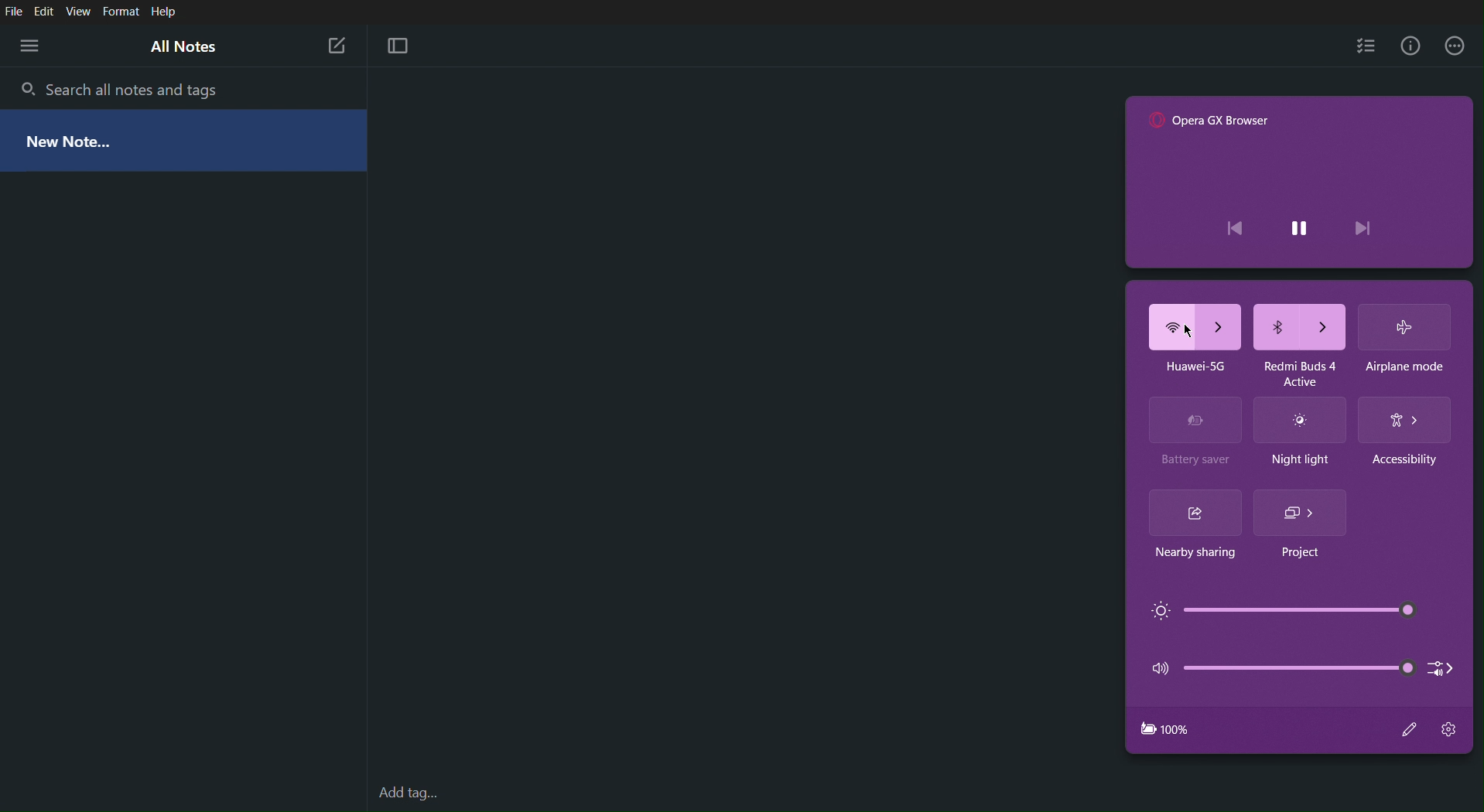 This screenshot has width=1484, height=812. What do you see at coordinates (1300, 325) in the screenshot?
I see `Bluetooth` at bounding box center [1300, 325].